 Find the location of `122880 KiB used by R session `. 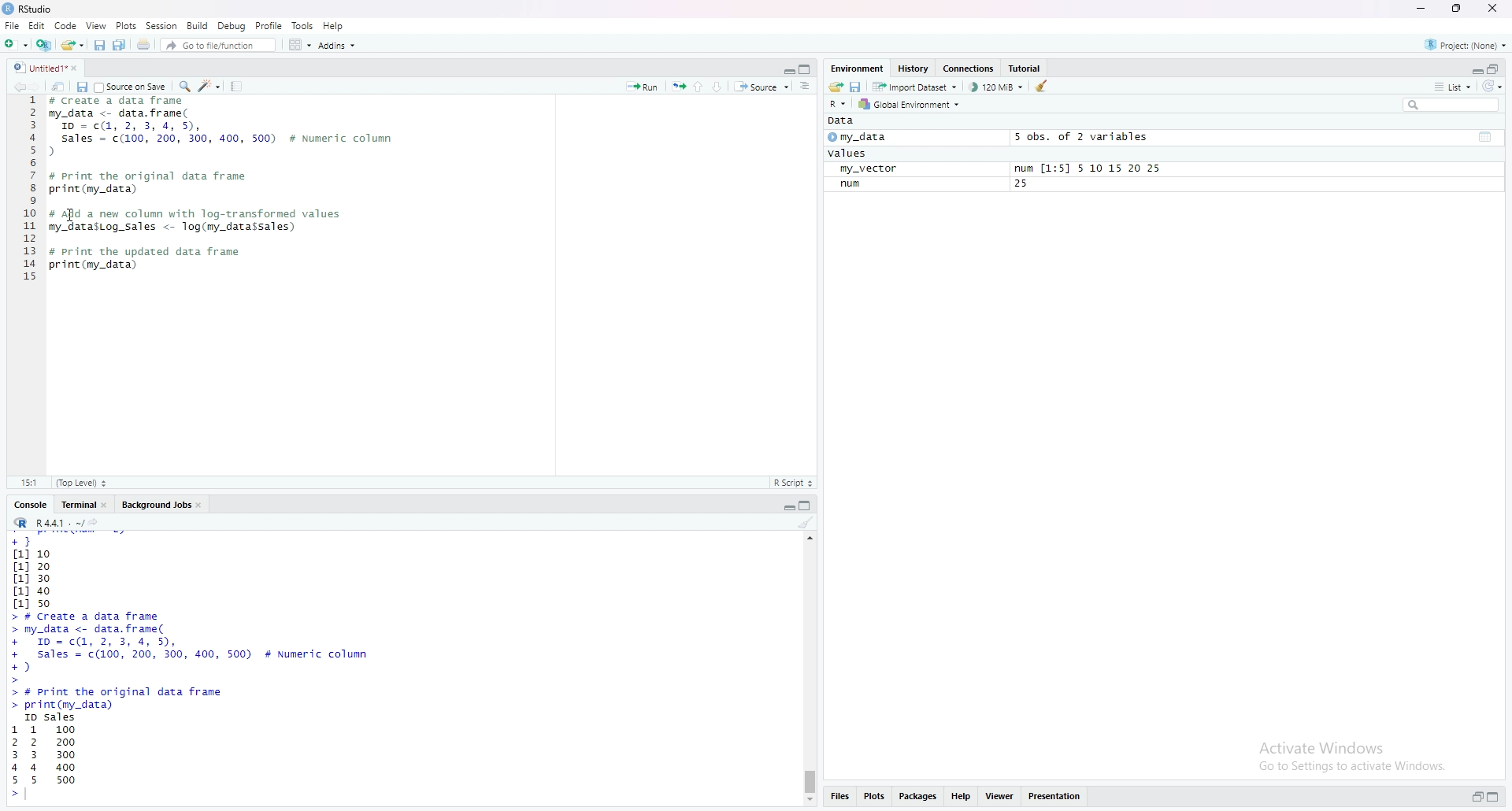

122880 KiB used by R session  is located at coordinates (997, 89).